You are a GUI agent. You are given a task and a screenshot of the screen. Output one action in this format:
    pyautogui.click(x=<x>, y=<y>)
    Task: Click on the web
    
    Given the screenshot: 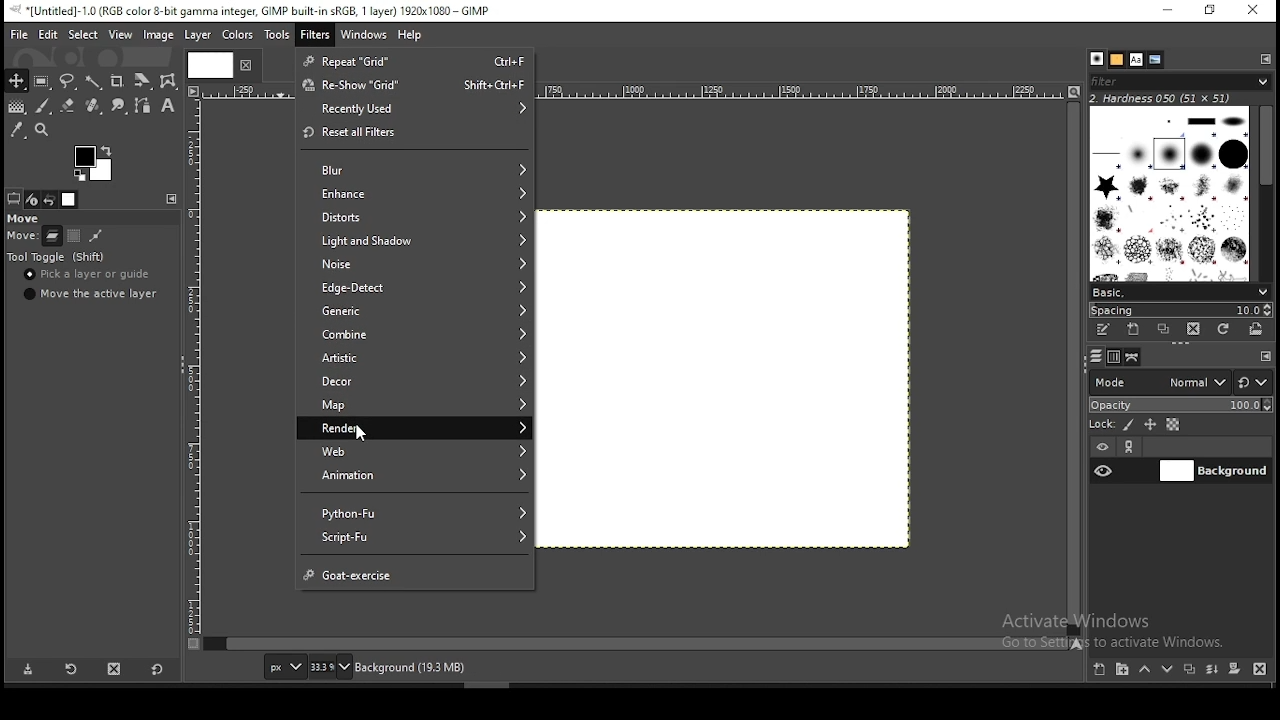 What is the action you would take?
    pyautogui.click(x=414, y=451)
    